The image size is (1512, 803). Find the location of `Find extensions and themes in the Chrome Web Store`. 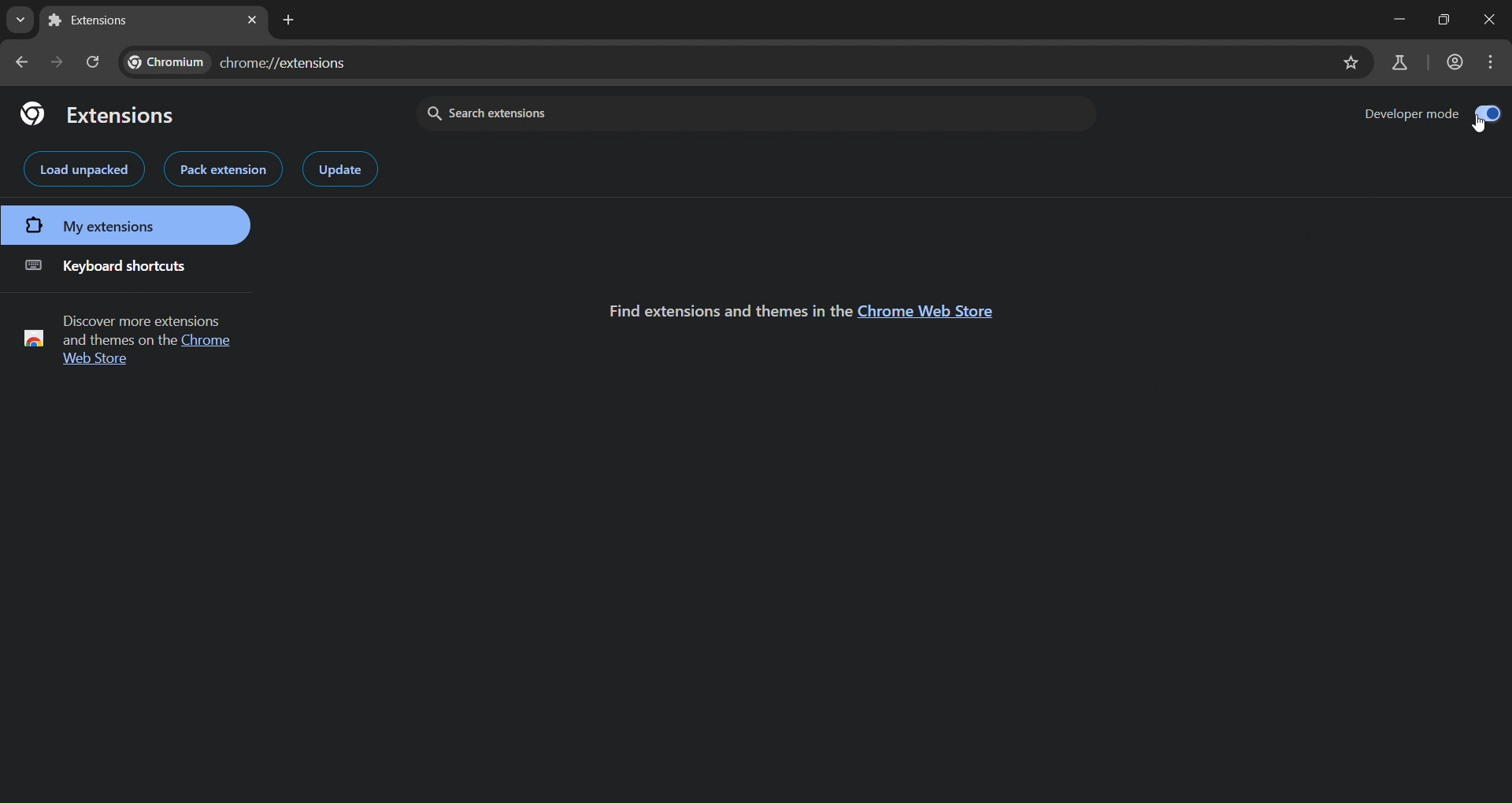

Find extensions and themes in the Chrome Web Store is located at coordinates (724, 310).